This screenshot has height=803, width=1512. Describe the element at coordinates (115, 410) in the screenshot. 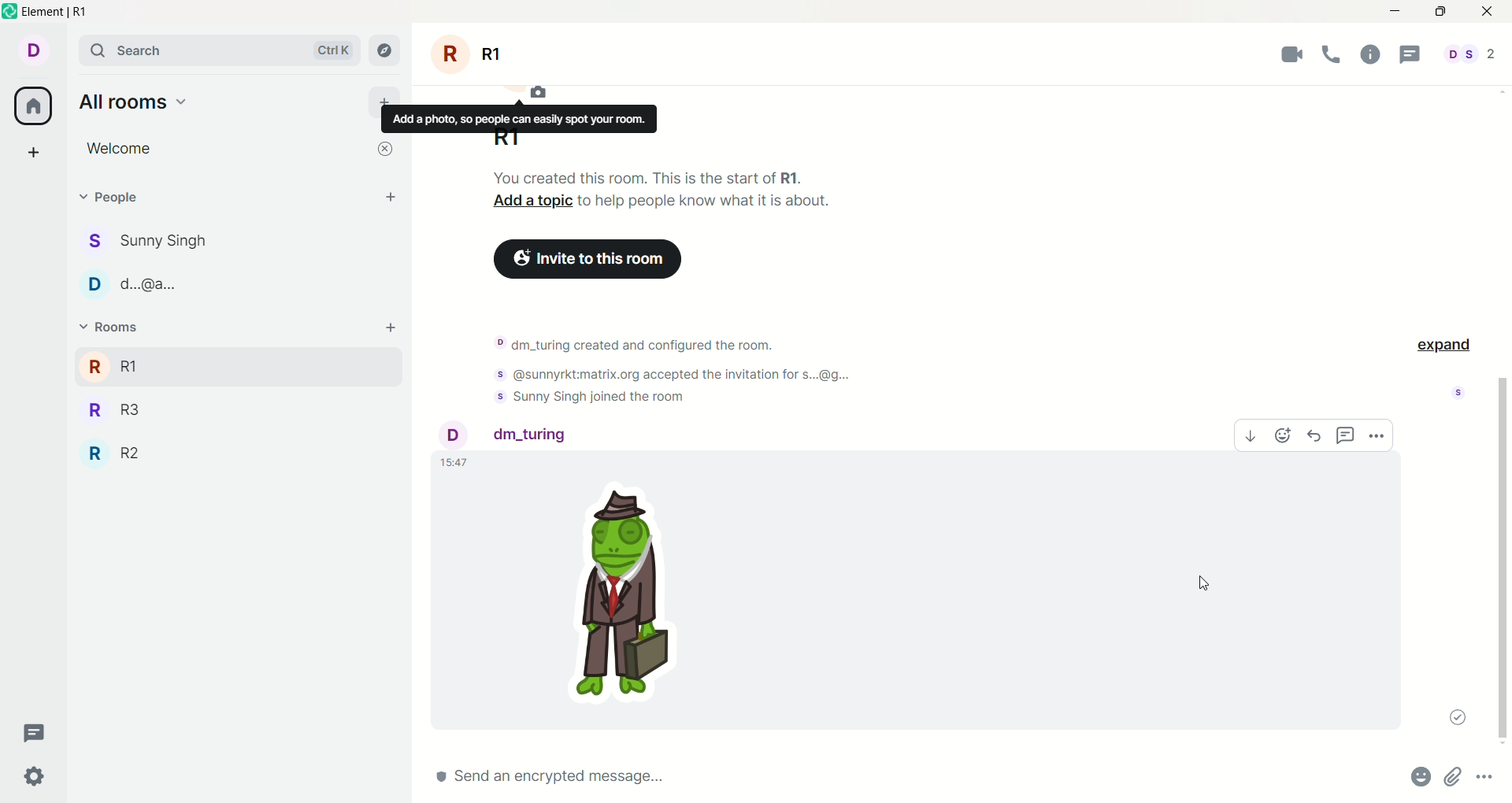

I see `R3 room` at that location.